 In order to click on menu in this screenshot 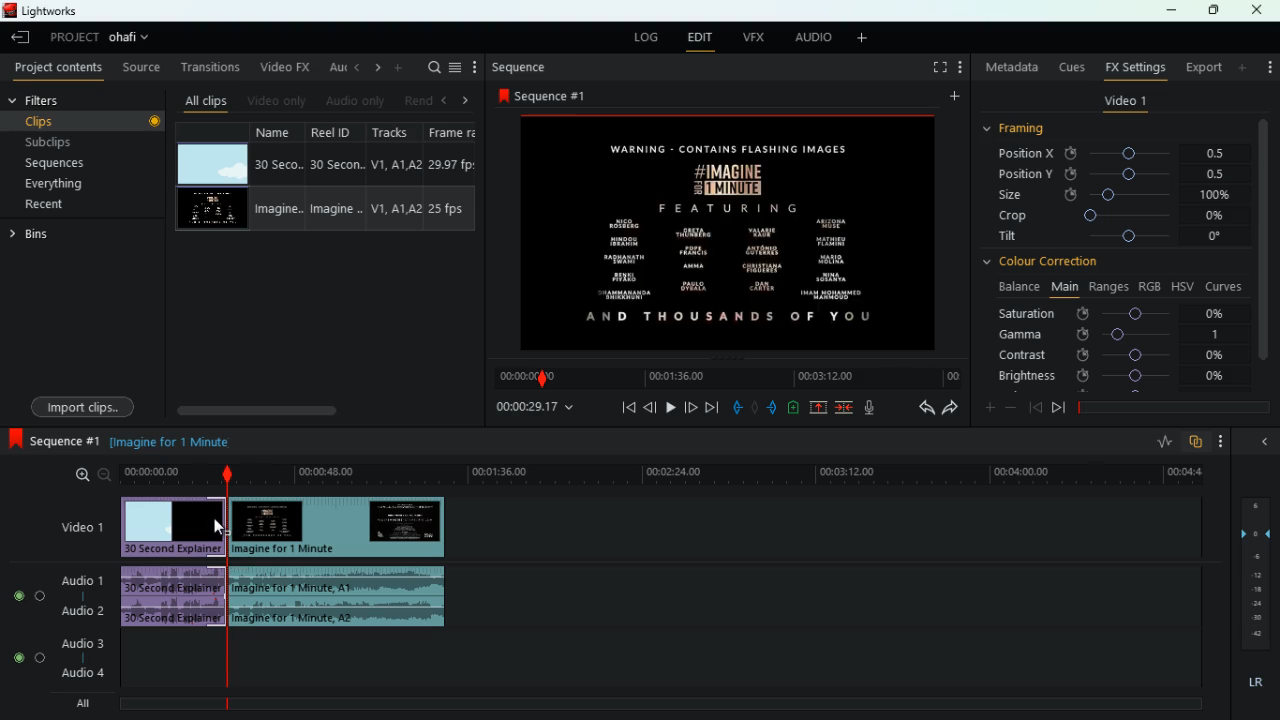, I will do `click(455, 67)`.